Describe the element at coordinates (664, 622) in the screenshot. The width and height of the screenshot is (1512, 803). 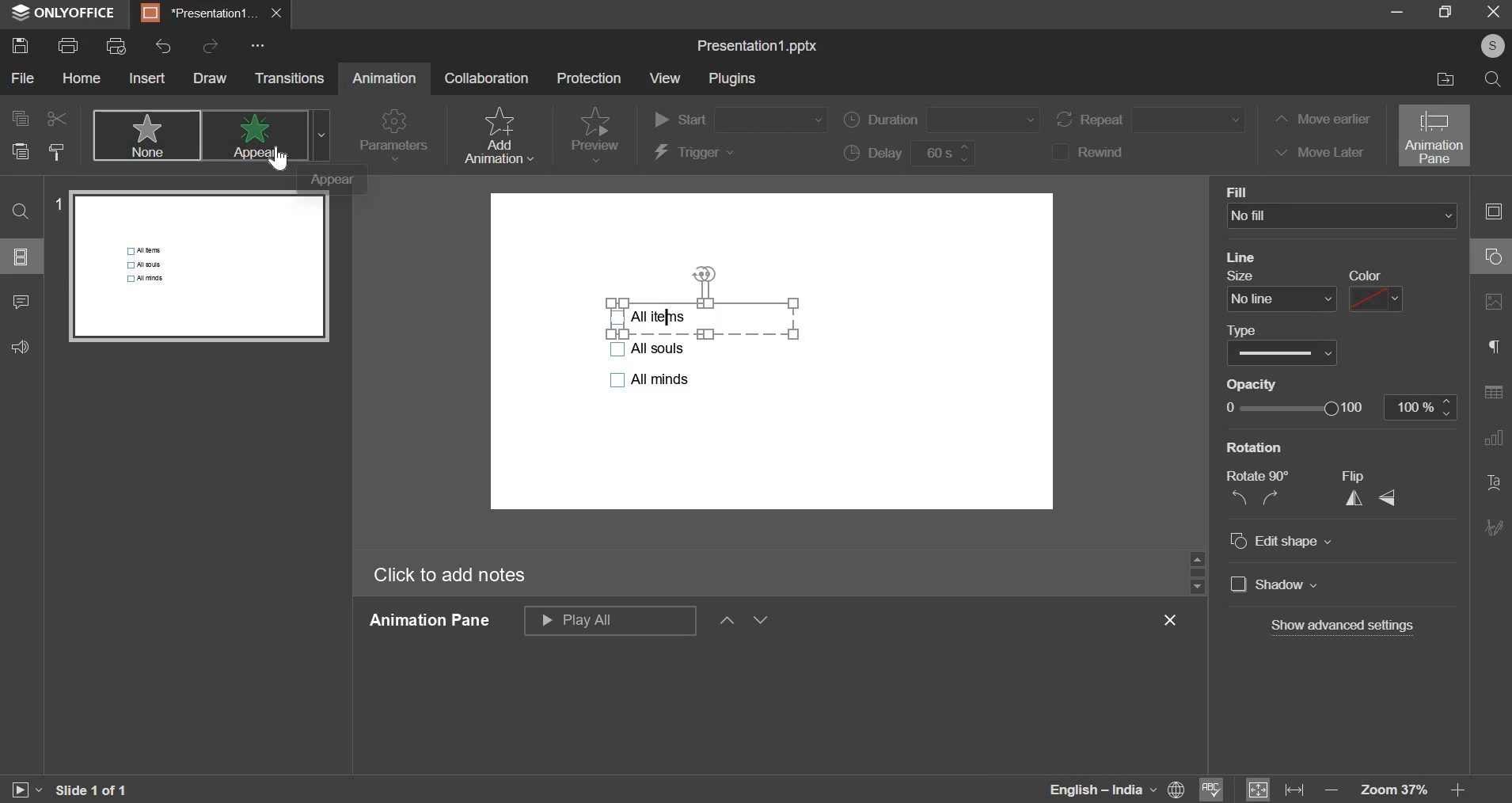
I see `animation pane` at that location.